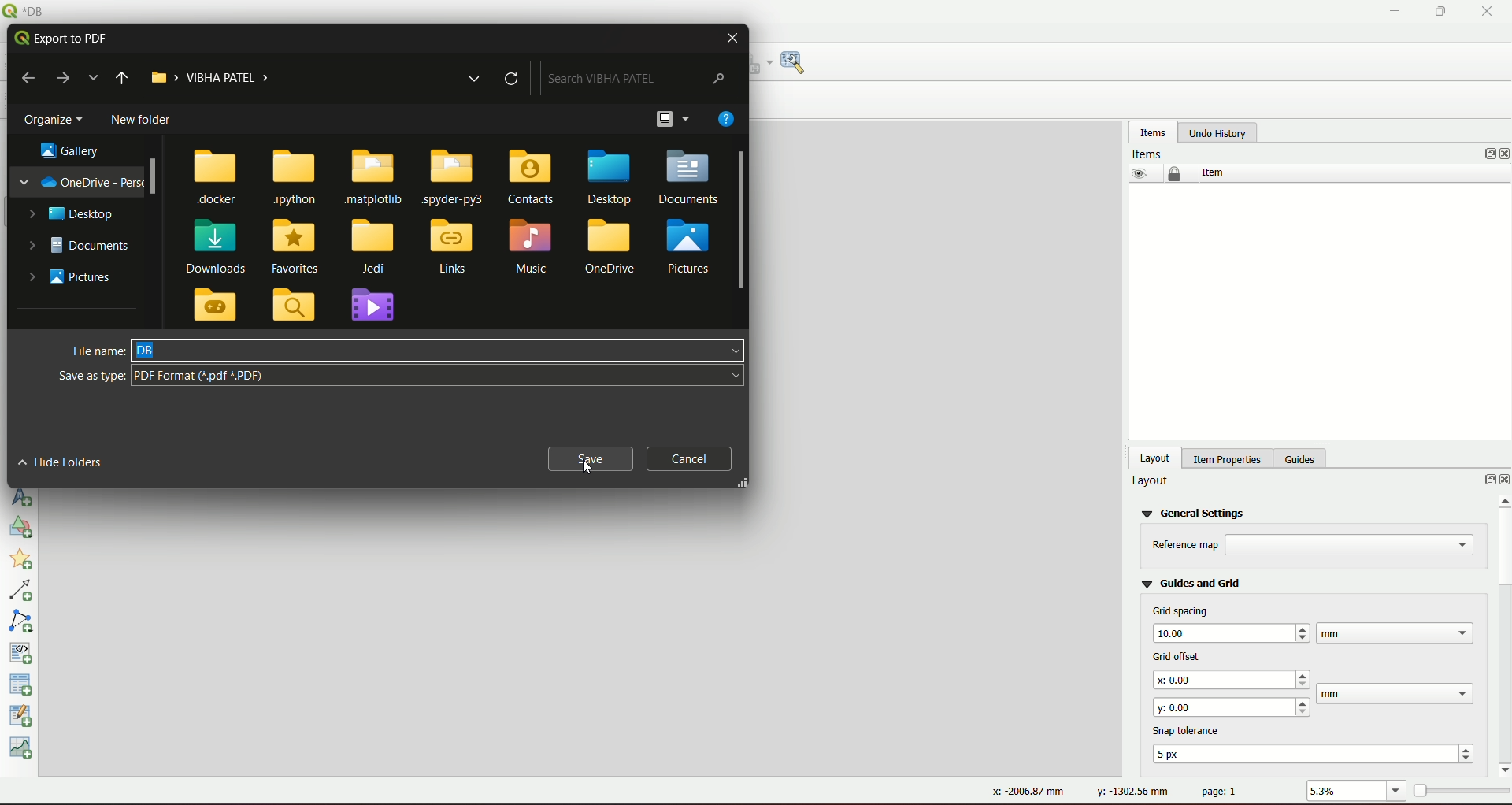  What do you see at coordinates (1436, 12) in the screenshot?
I see `maximize` at bounding box center [1436, 12].